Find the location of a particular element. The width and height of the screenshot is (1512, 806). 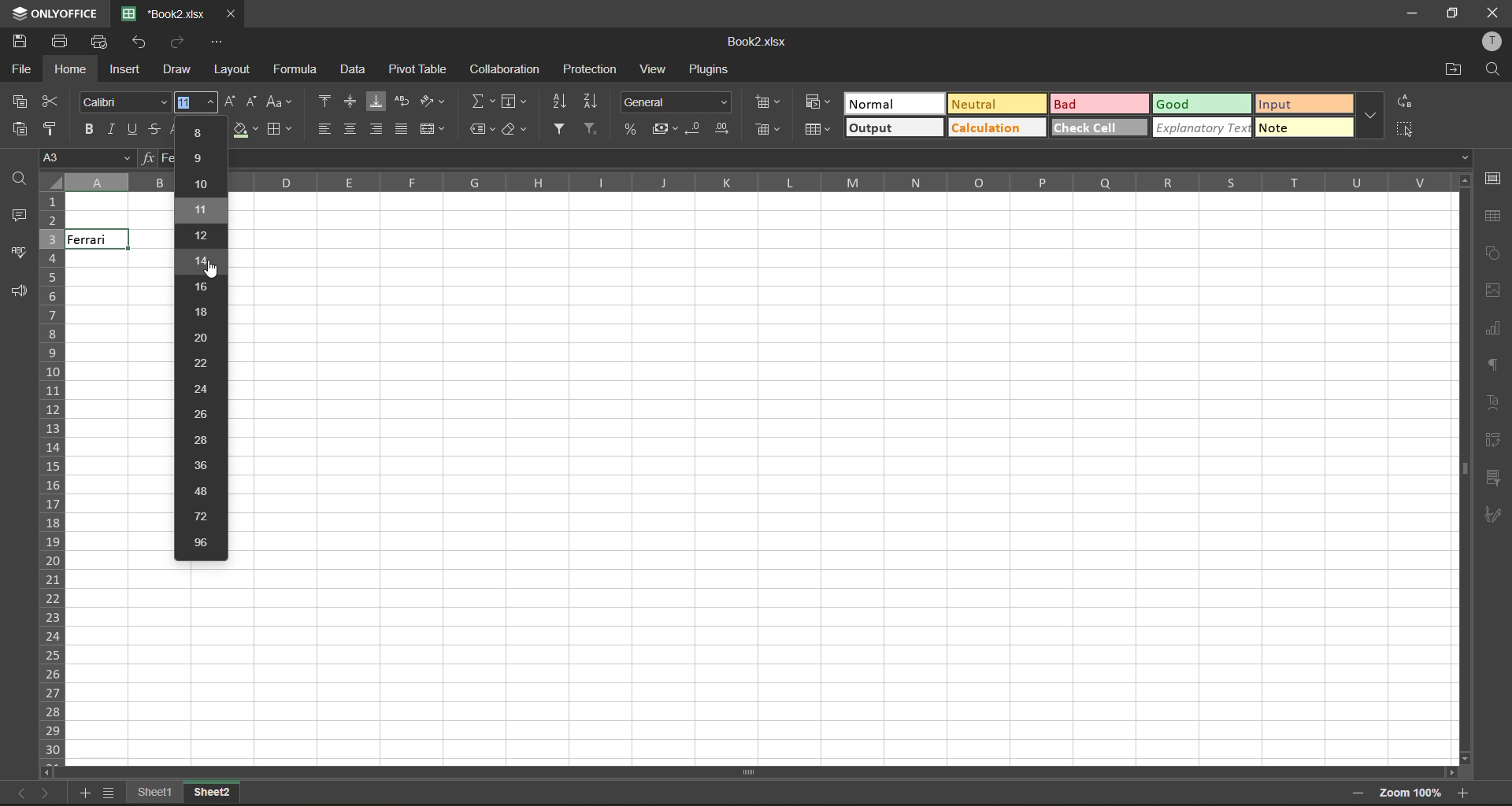

home is located at coordinates (67, 70).